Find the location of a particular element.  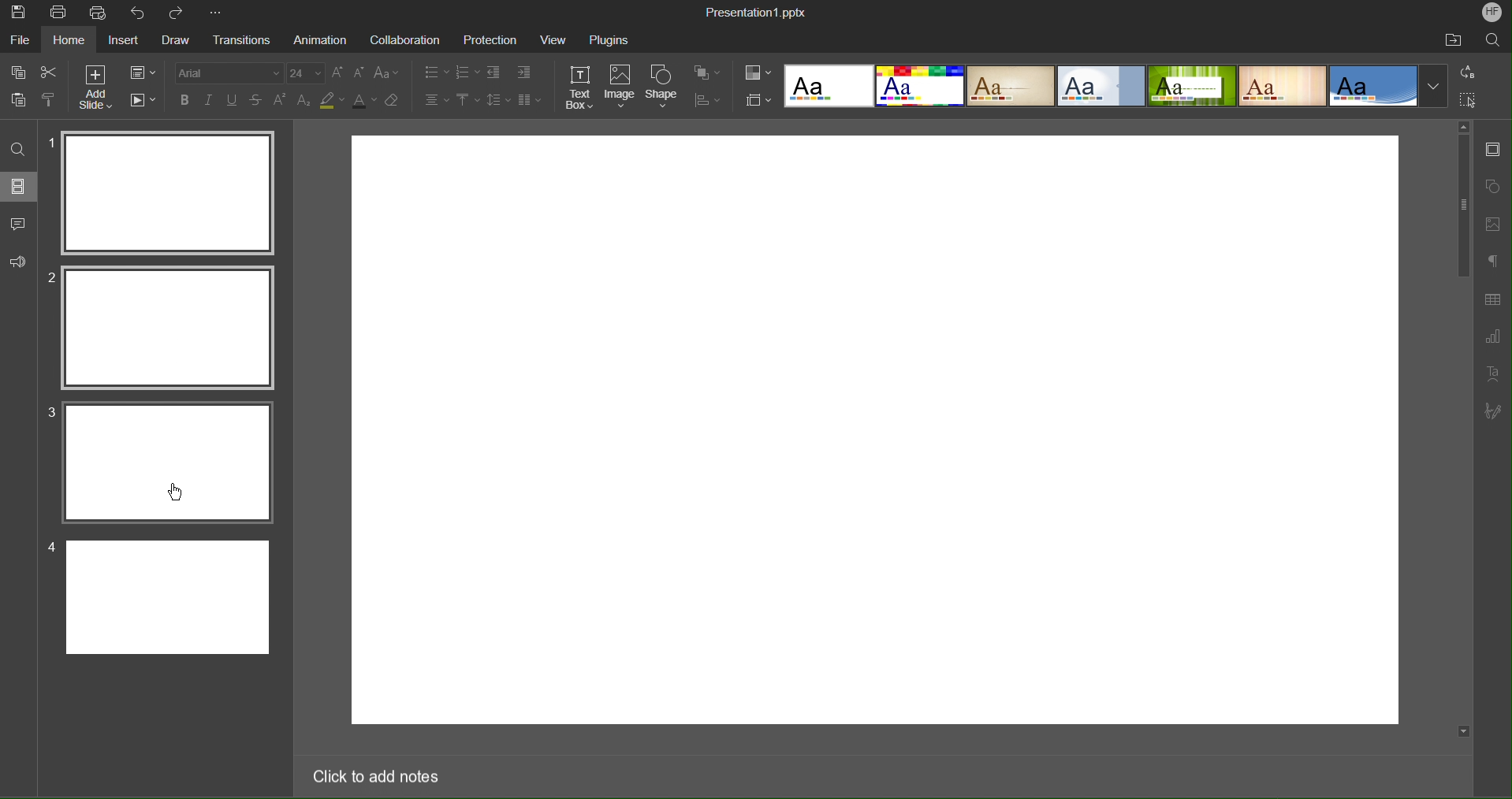

Line Spacing is located at coordinates (496, 98).